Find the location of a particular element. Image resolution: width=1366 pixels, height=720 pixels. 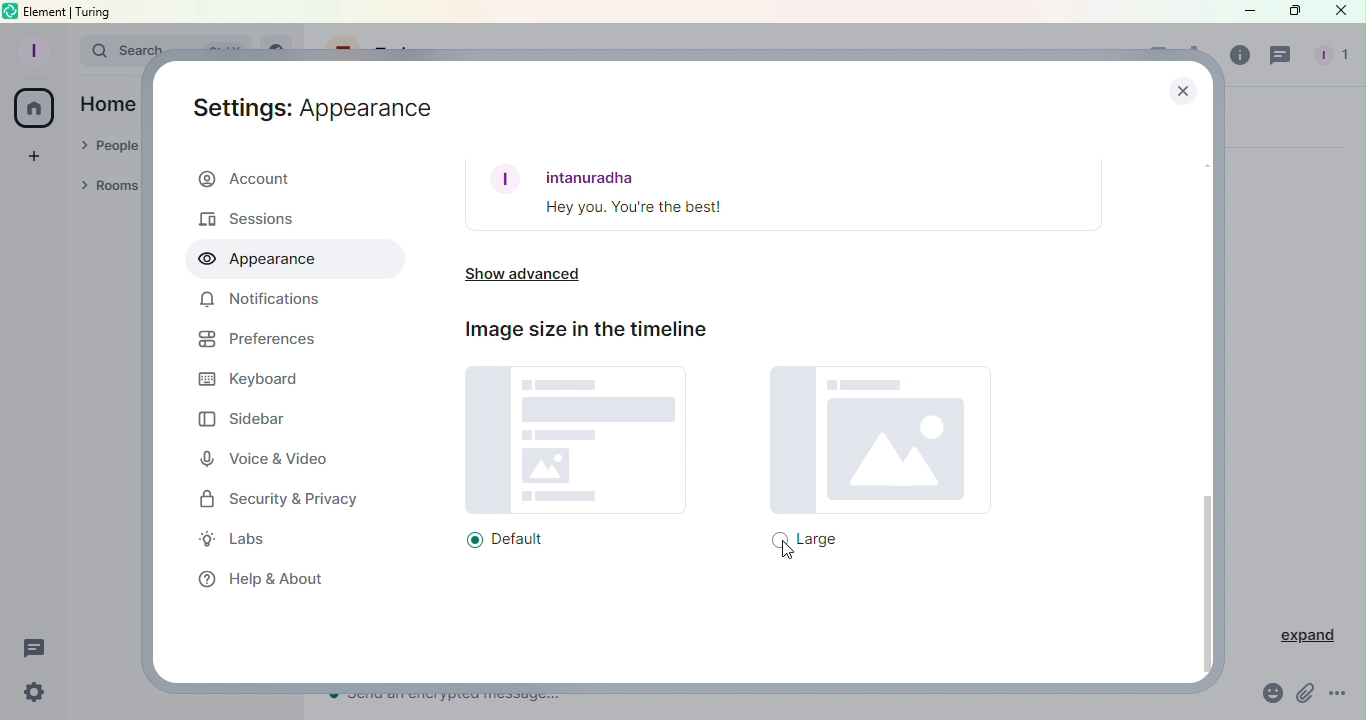

People is located at coordinates (1327, 58).